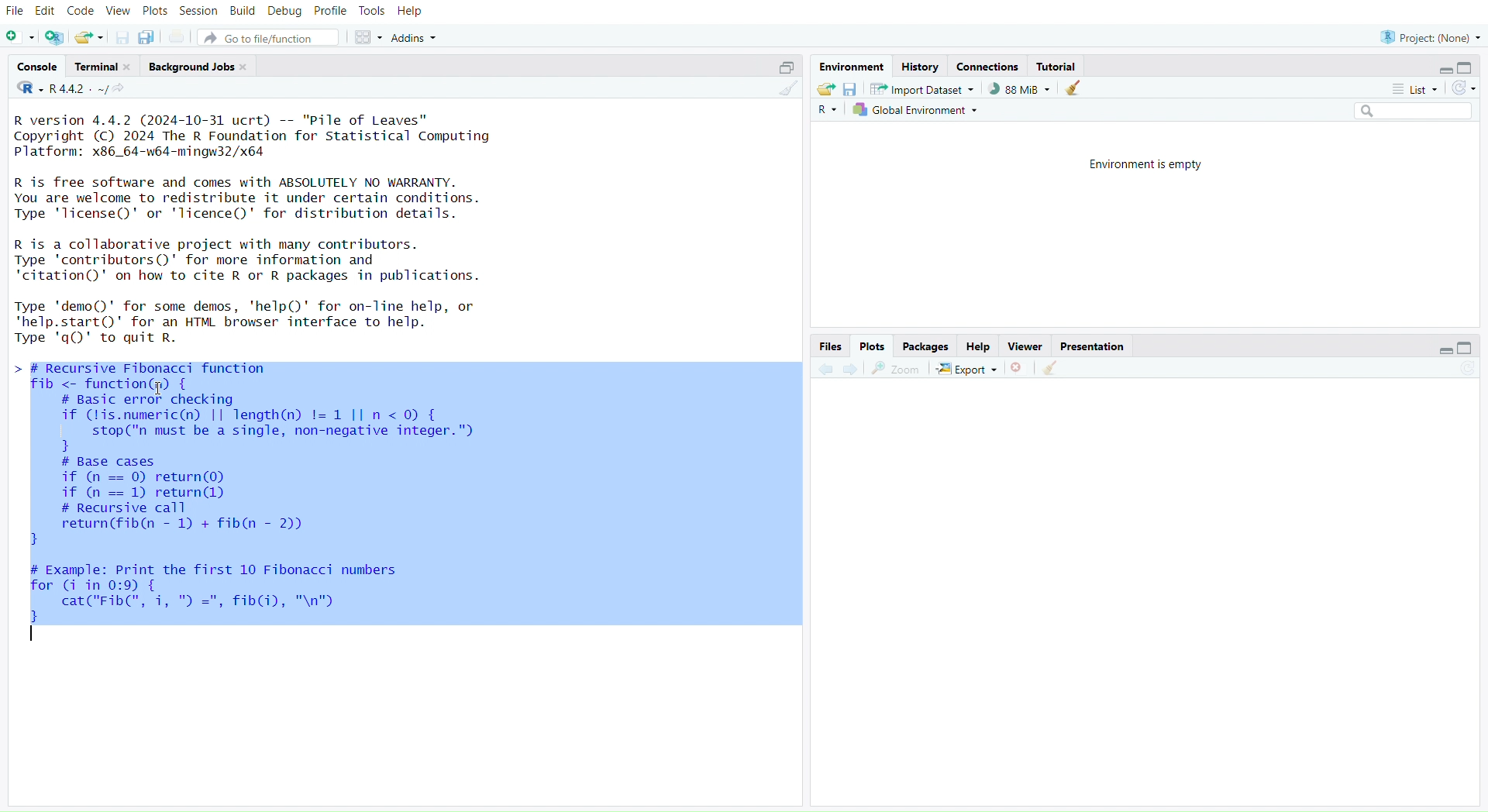  What do you see at coordinates (849, 67) in the screenshot?
I see `environment` at bounding box center [849, 67].